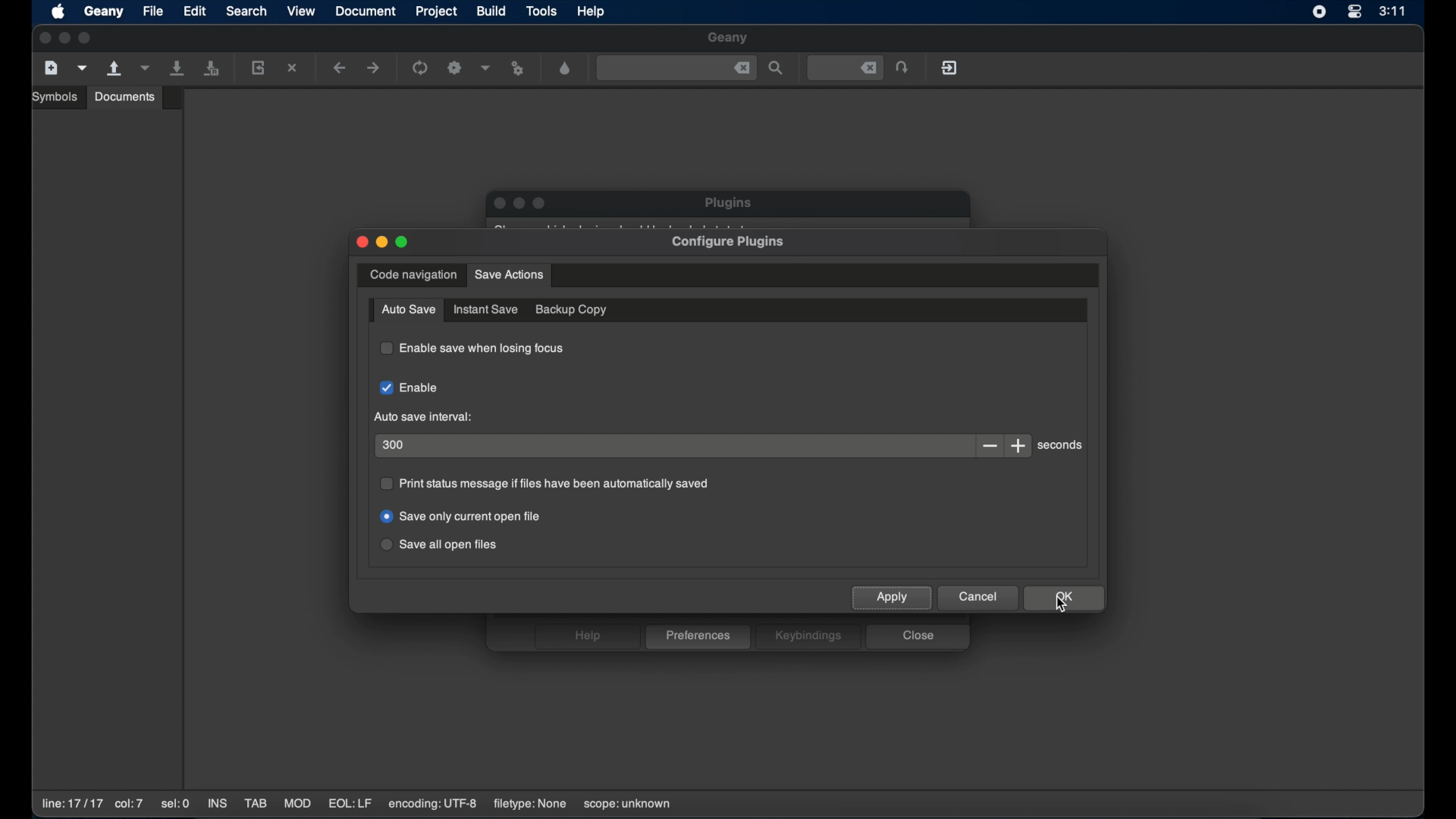  What do you see at coordinates (212, 69) in the screenshot?
I see `save all open files` at bounding box center [212, 69].